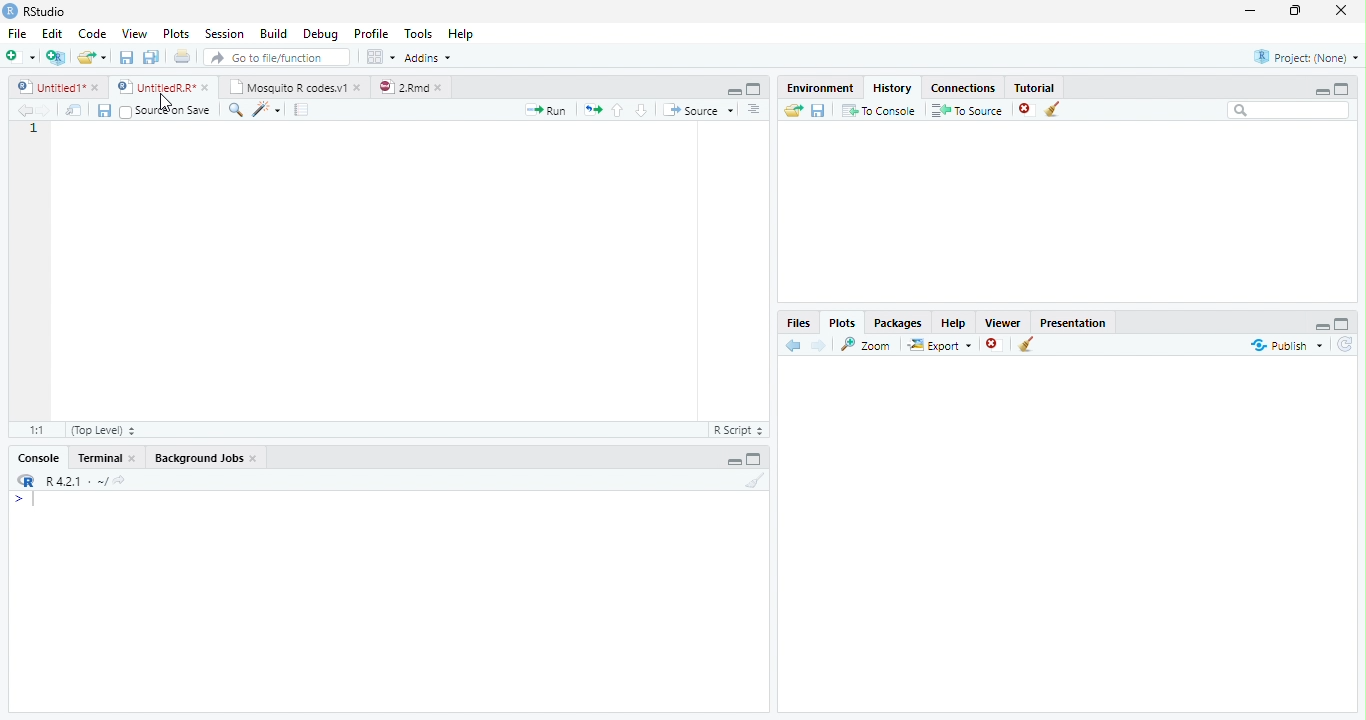 This screenshot has height=720, width=1366. What do you see at coordinates (410, 87) in the screenshot?
I see `©) 28md` at bounding box center [410, 87].